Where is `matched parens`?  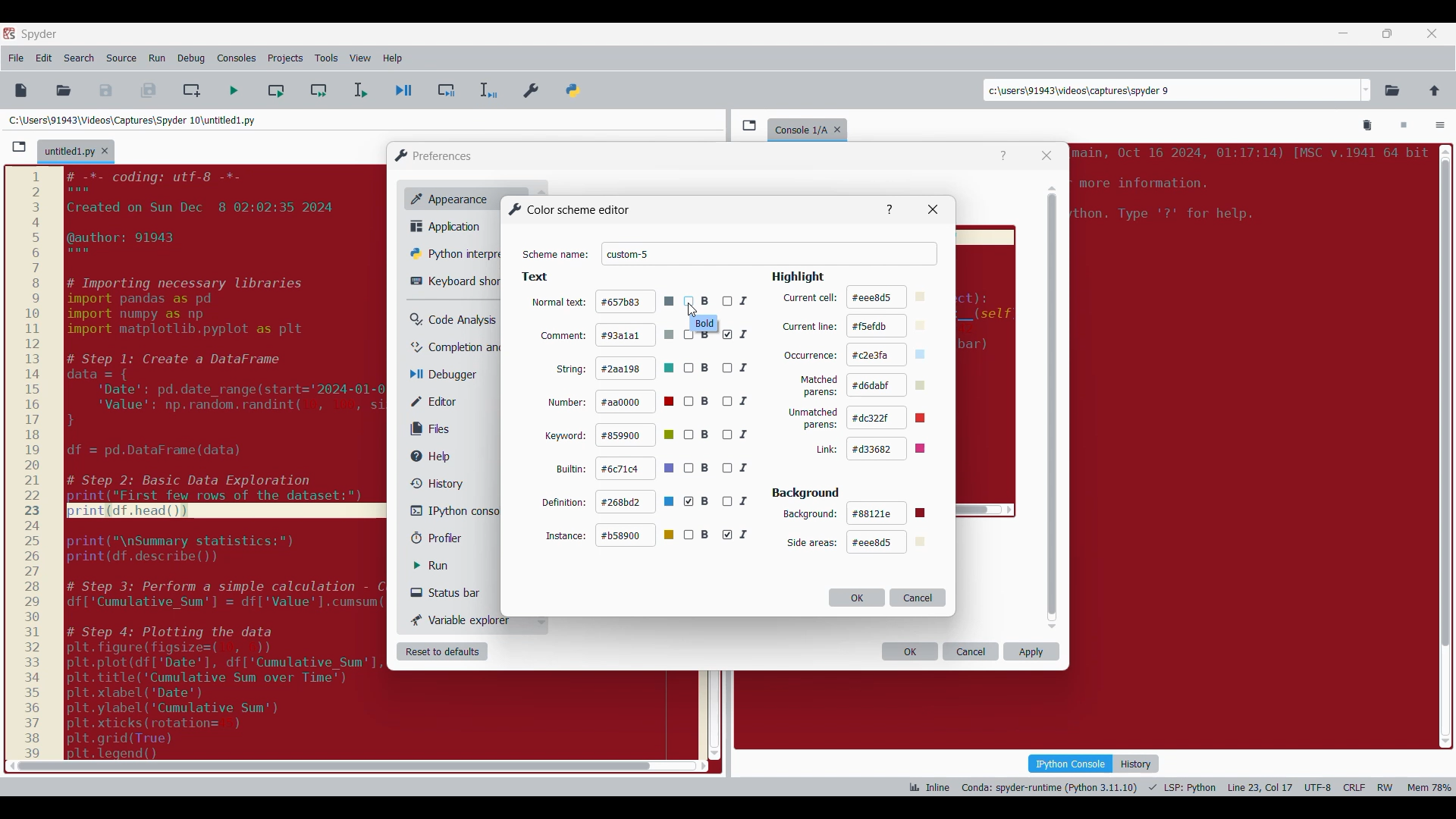
matched parens is located at coordinates (819, 386).